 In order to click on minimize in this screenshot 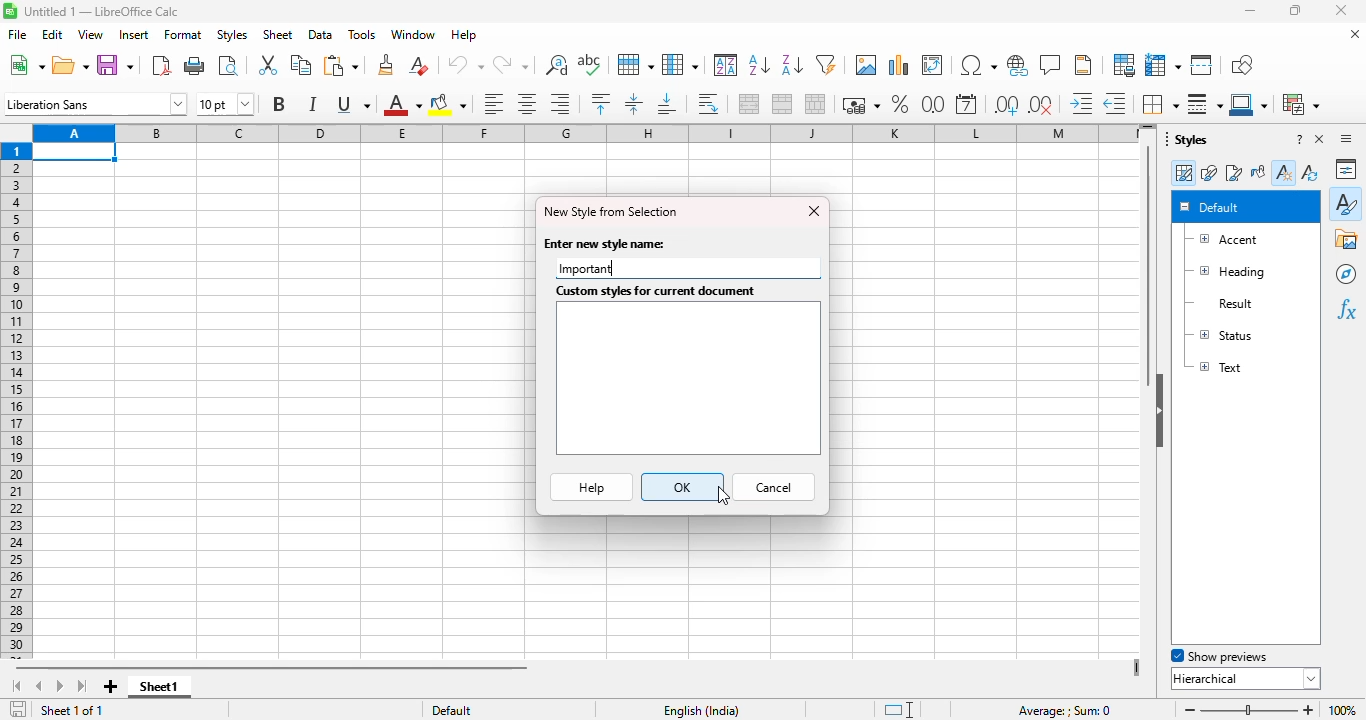, I will do `click(1250, 10)`.